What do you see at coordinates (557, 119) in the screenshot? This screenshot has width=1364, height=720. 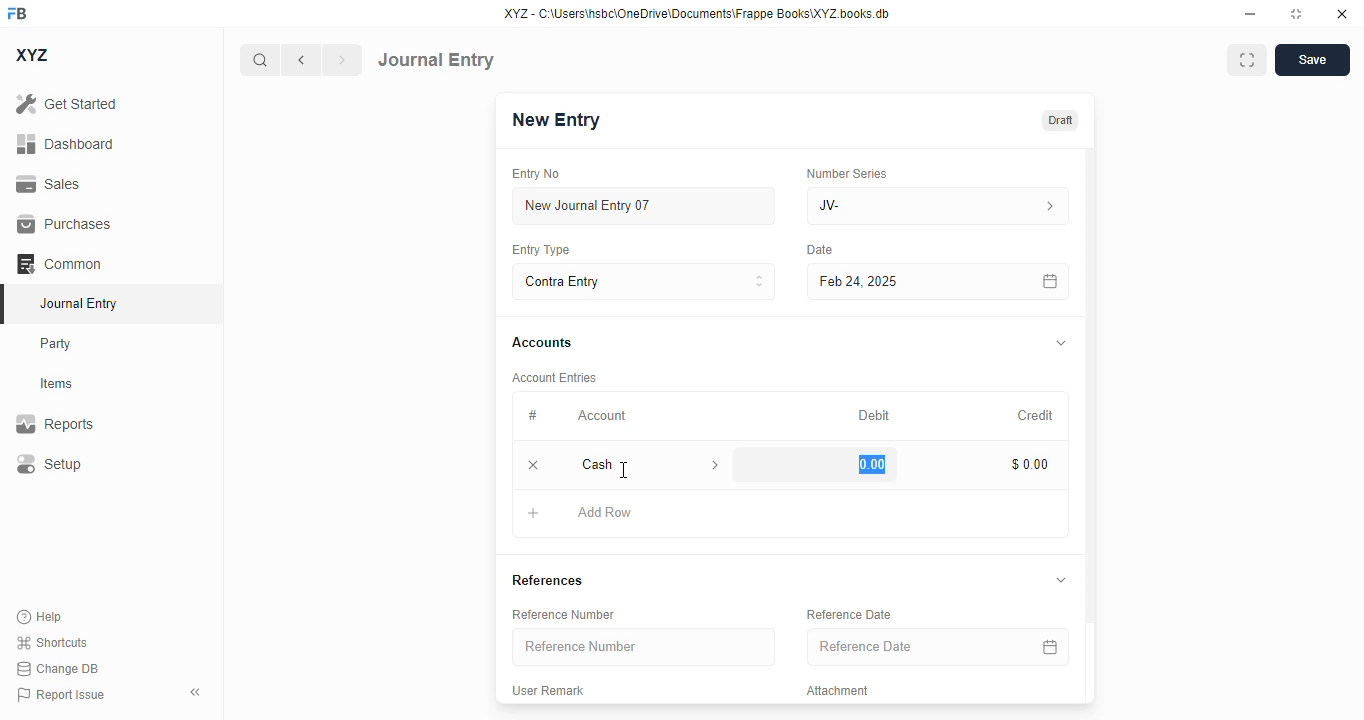 I see `new entry` at bounding box center [557, 119].